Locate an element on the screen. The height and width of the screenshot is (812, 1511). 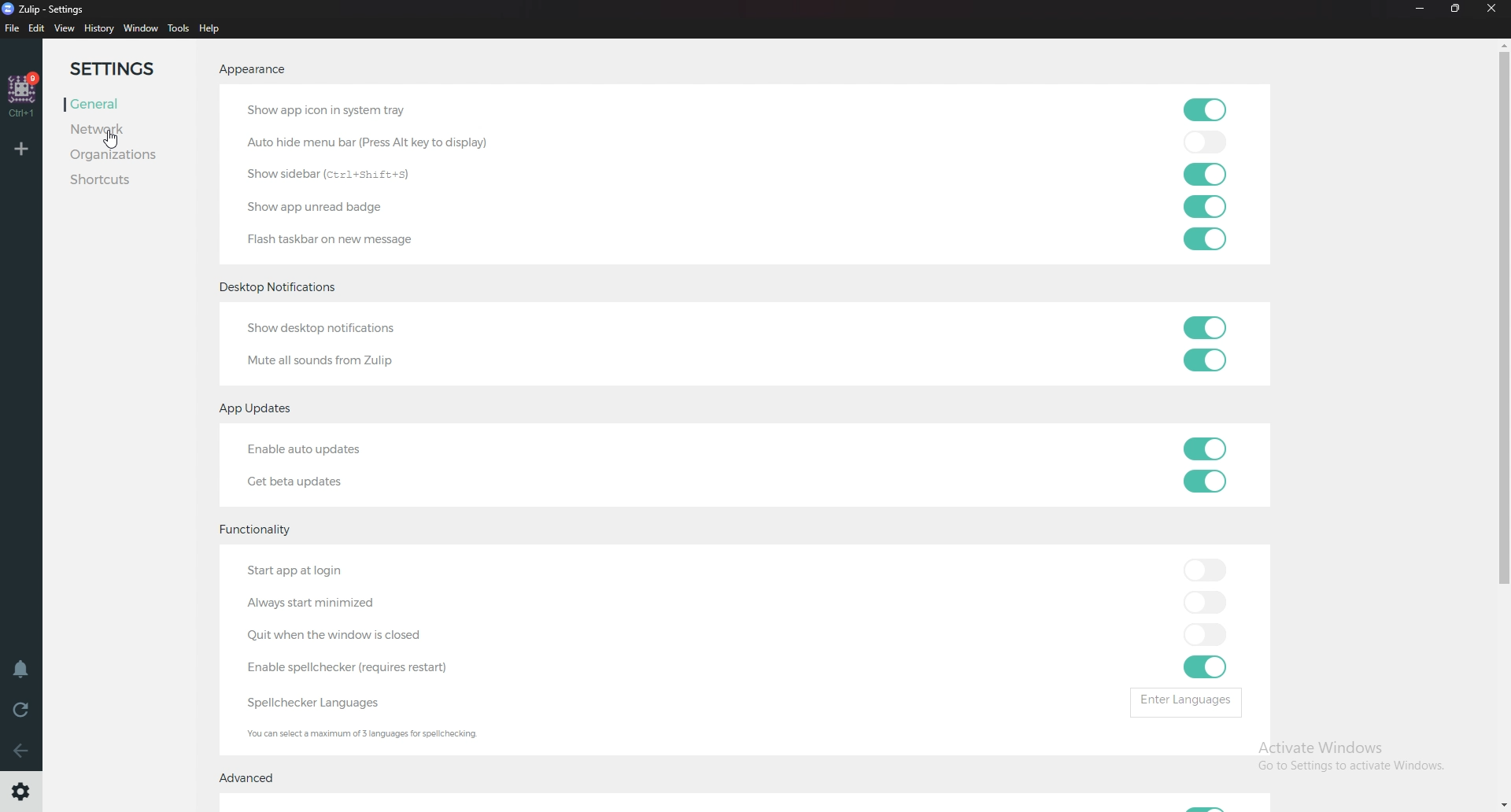
Mute all sounds from Zulip is located at coordinates (327, 361).